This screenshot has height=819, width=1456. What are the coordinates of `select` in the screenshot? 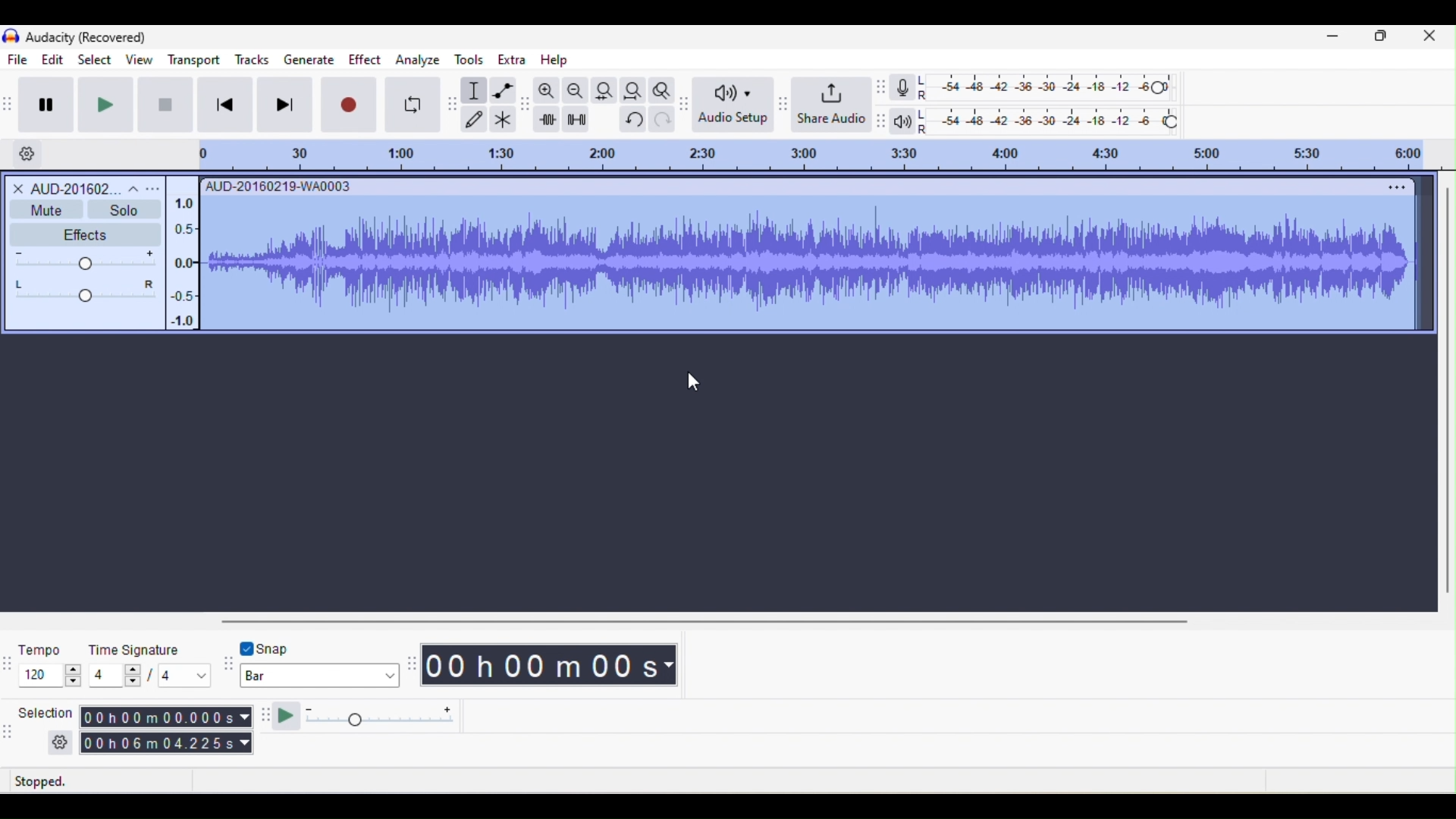 It's located at (93, 58).